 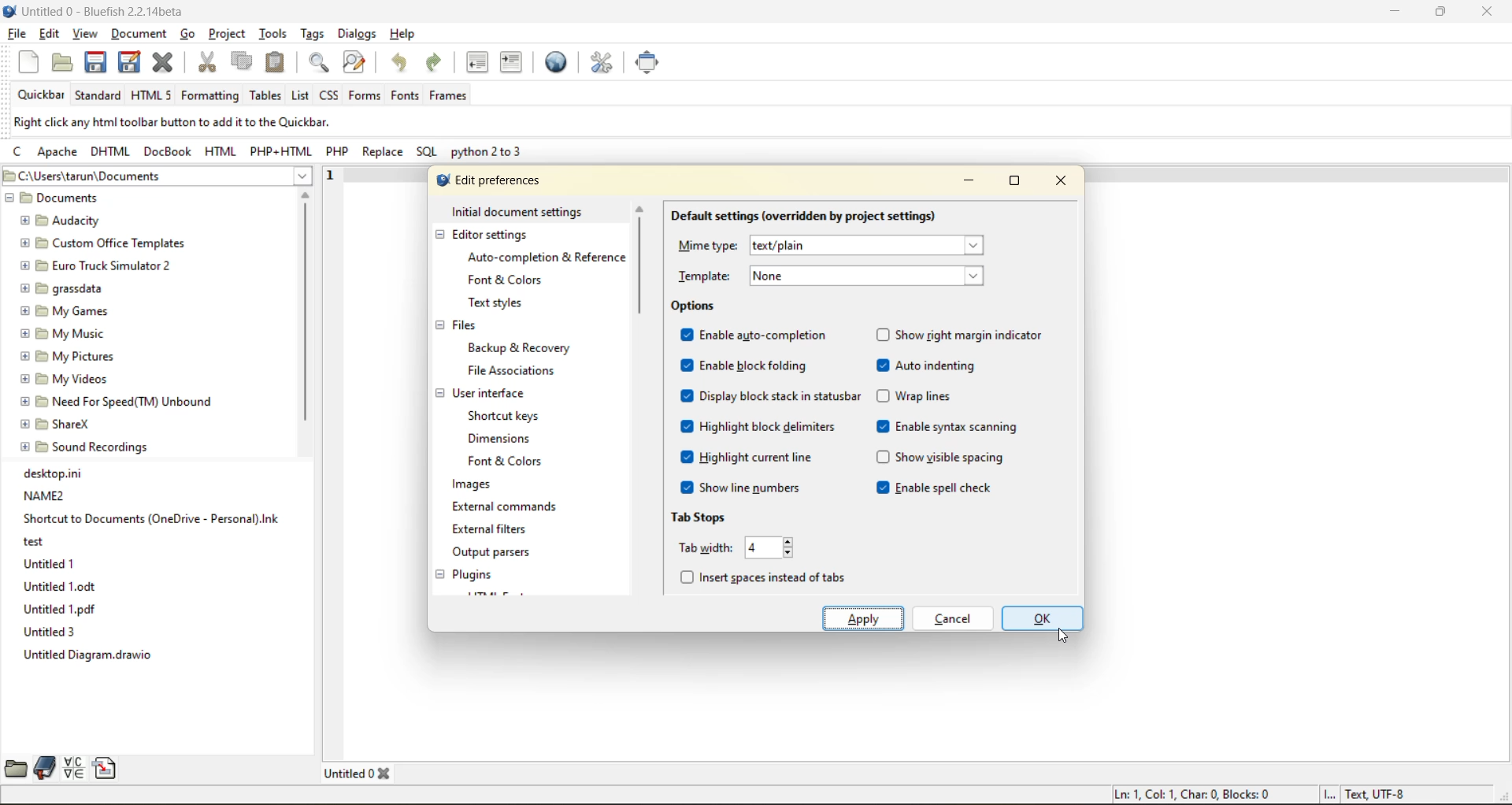 What do you see at coordinates (45, 495) in the screenshot?
I see `NAME2` at bounding box center [45, 495].